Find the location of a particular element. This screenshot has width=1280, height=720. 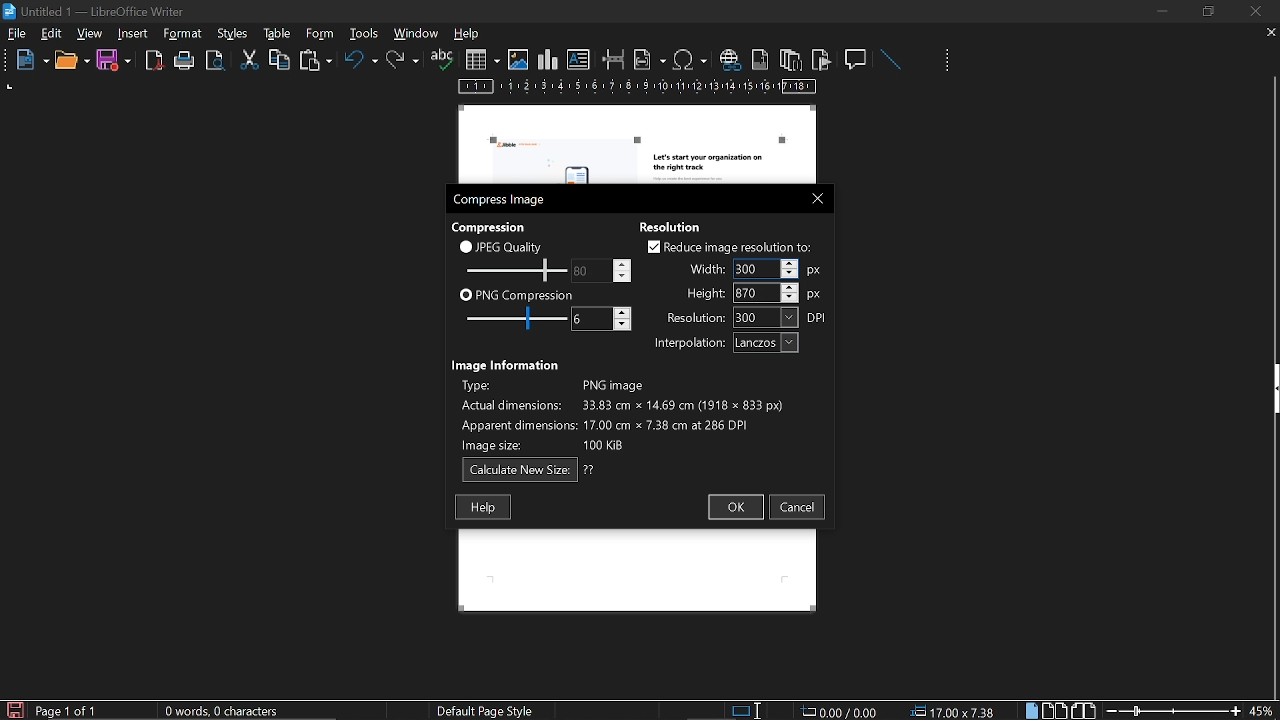

help is located at coordinates (483, 507).